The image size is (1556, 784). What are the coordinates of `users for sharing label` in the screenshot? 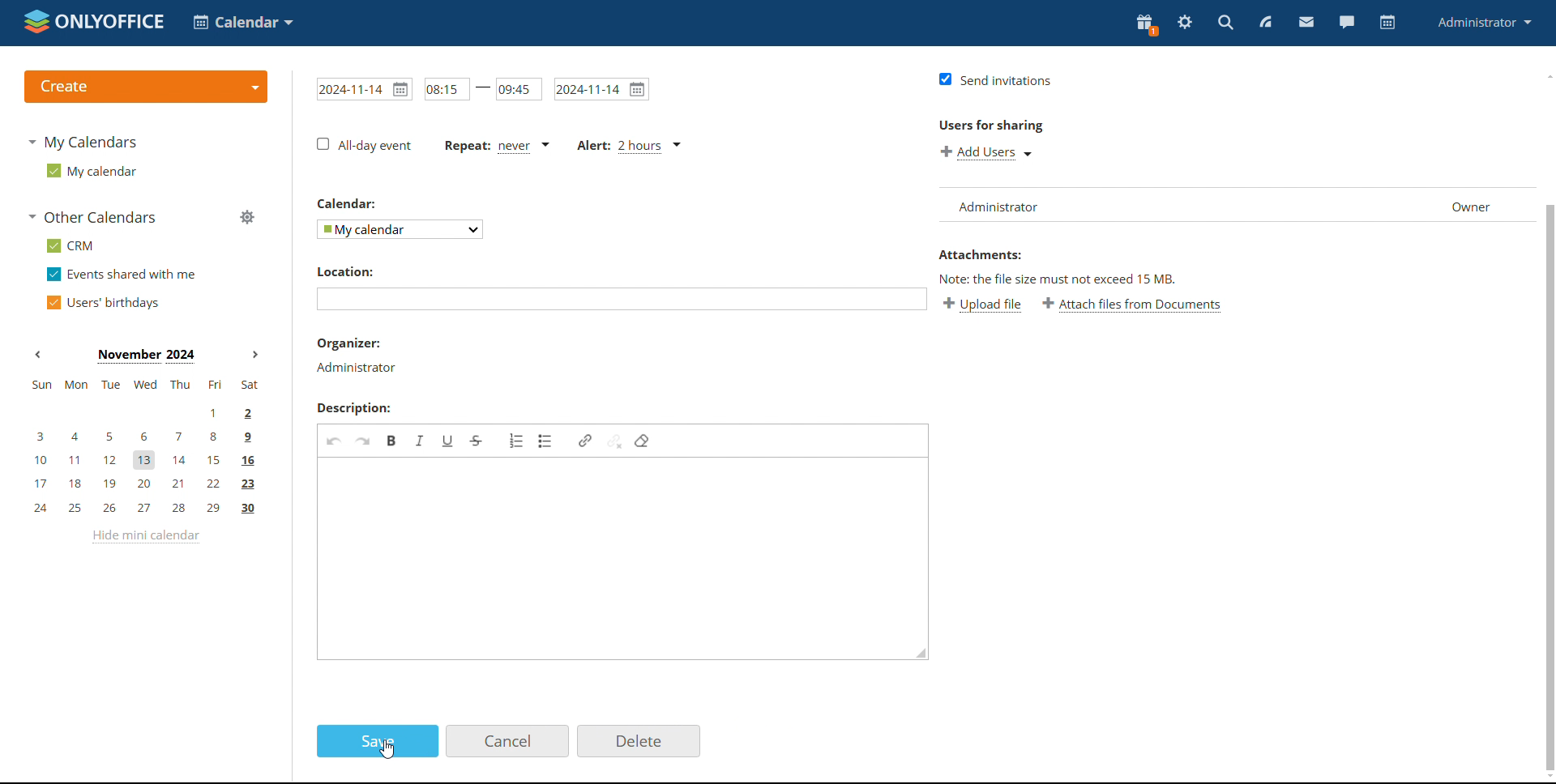 It's located at (998, 126).